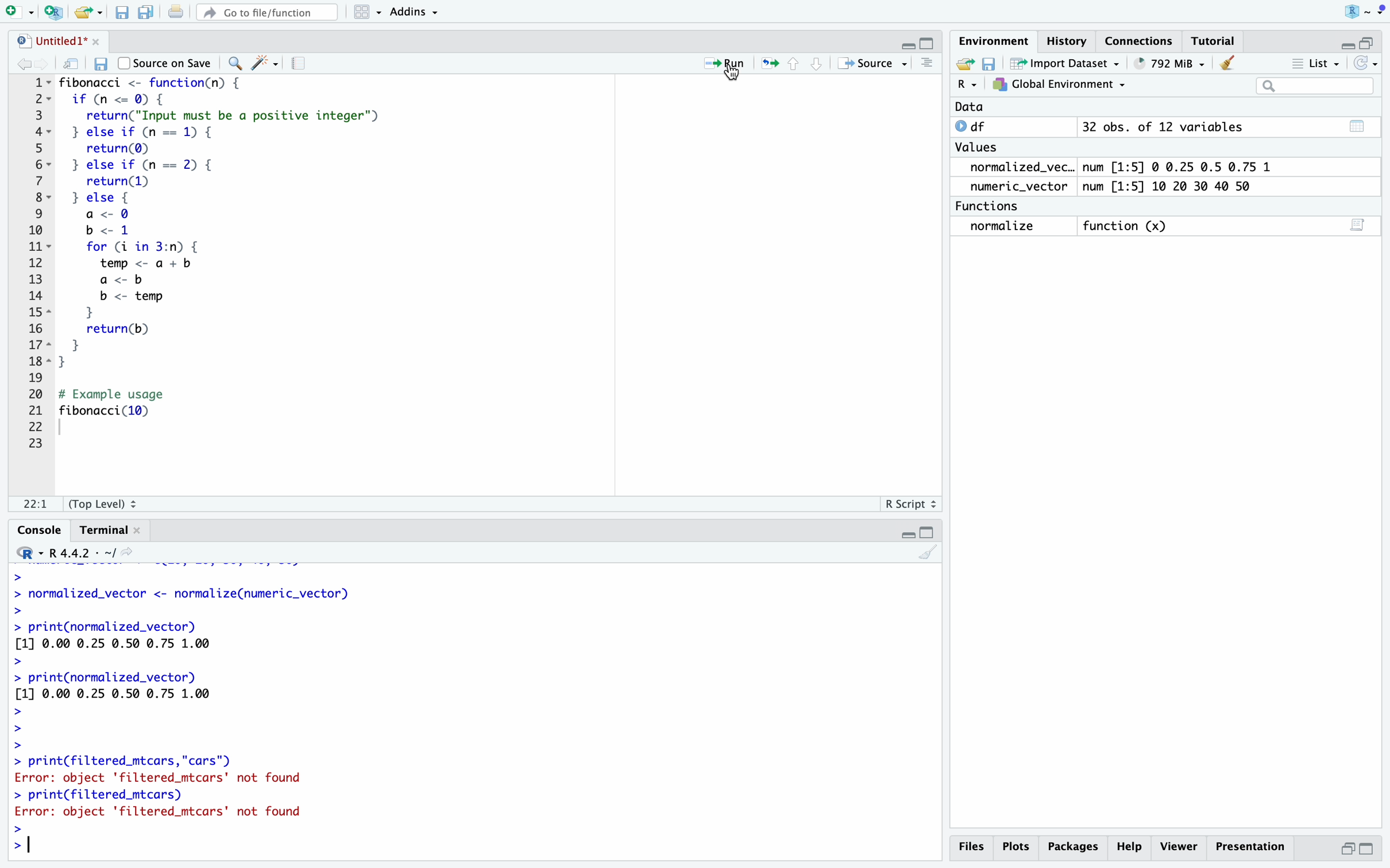  What do you see at coordinates (1360, 125) in the screenshot?
I see `table` at bounding box center [1360, 125].